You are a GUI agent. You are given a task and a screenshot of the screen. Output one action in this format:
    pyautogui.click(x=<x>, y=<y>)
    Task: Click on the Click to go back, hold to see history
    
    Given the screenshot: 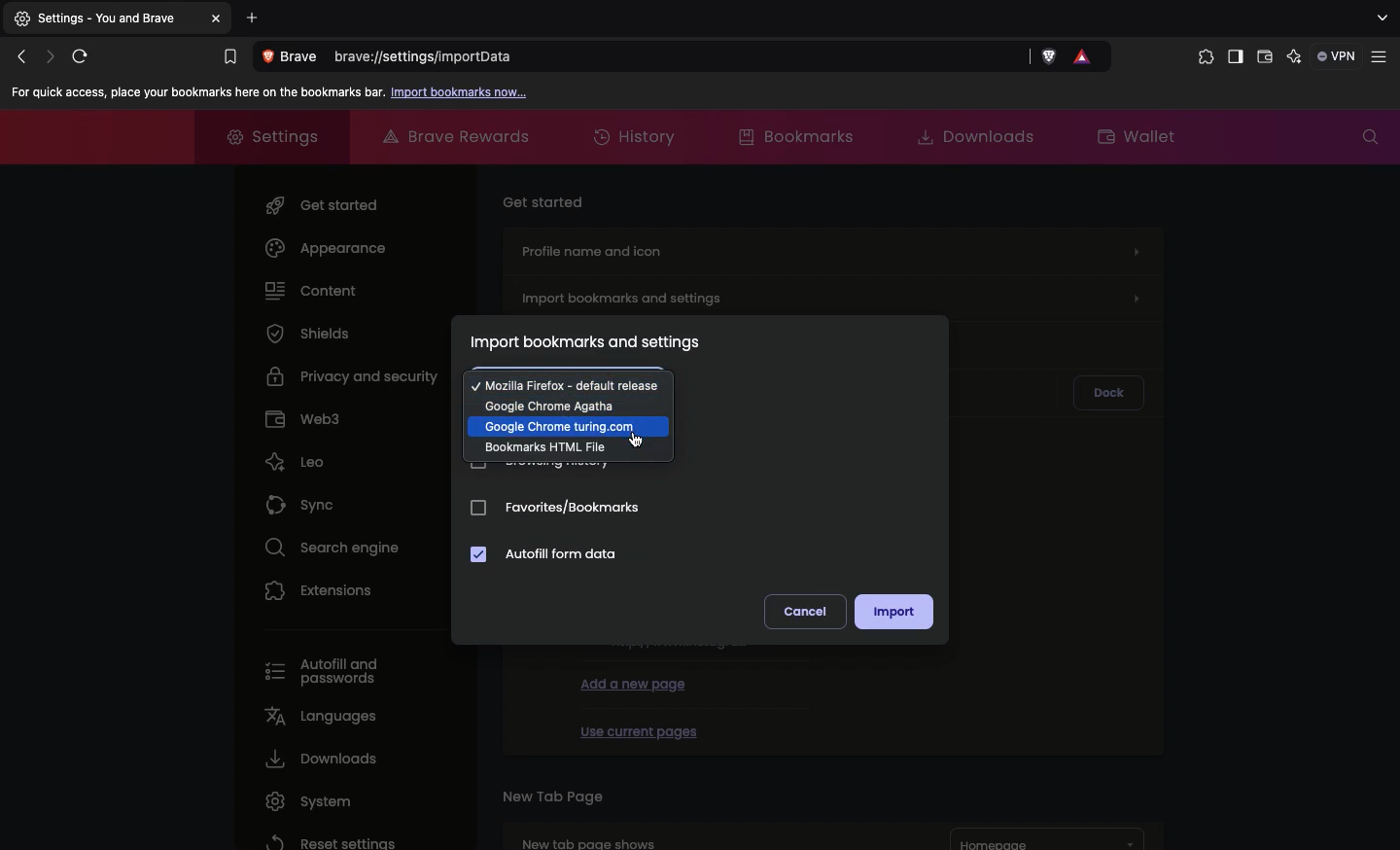 What is the action you would take?
    pyautogui.click(x=20, y=57)
    